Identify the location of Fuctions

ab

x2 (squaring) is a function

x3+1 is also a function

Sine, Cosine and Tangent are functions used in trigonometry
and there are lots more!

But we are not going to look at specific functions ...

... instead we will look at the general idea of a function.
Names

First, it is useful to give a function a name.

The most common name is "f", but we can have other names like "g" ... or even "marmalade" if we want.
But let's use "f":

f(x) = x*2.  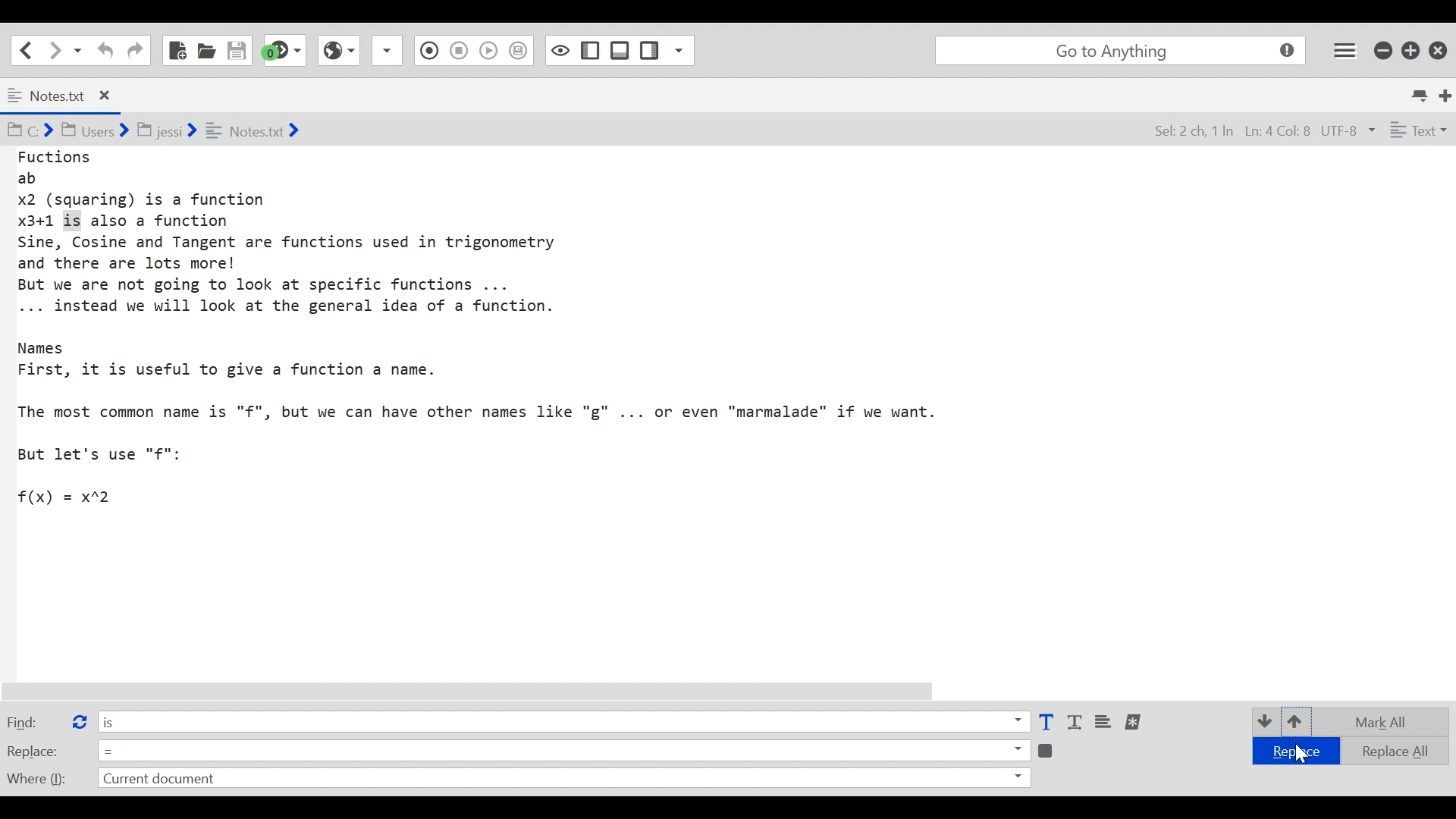
(487, 336).